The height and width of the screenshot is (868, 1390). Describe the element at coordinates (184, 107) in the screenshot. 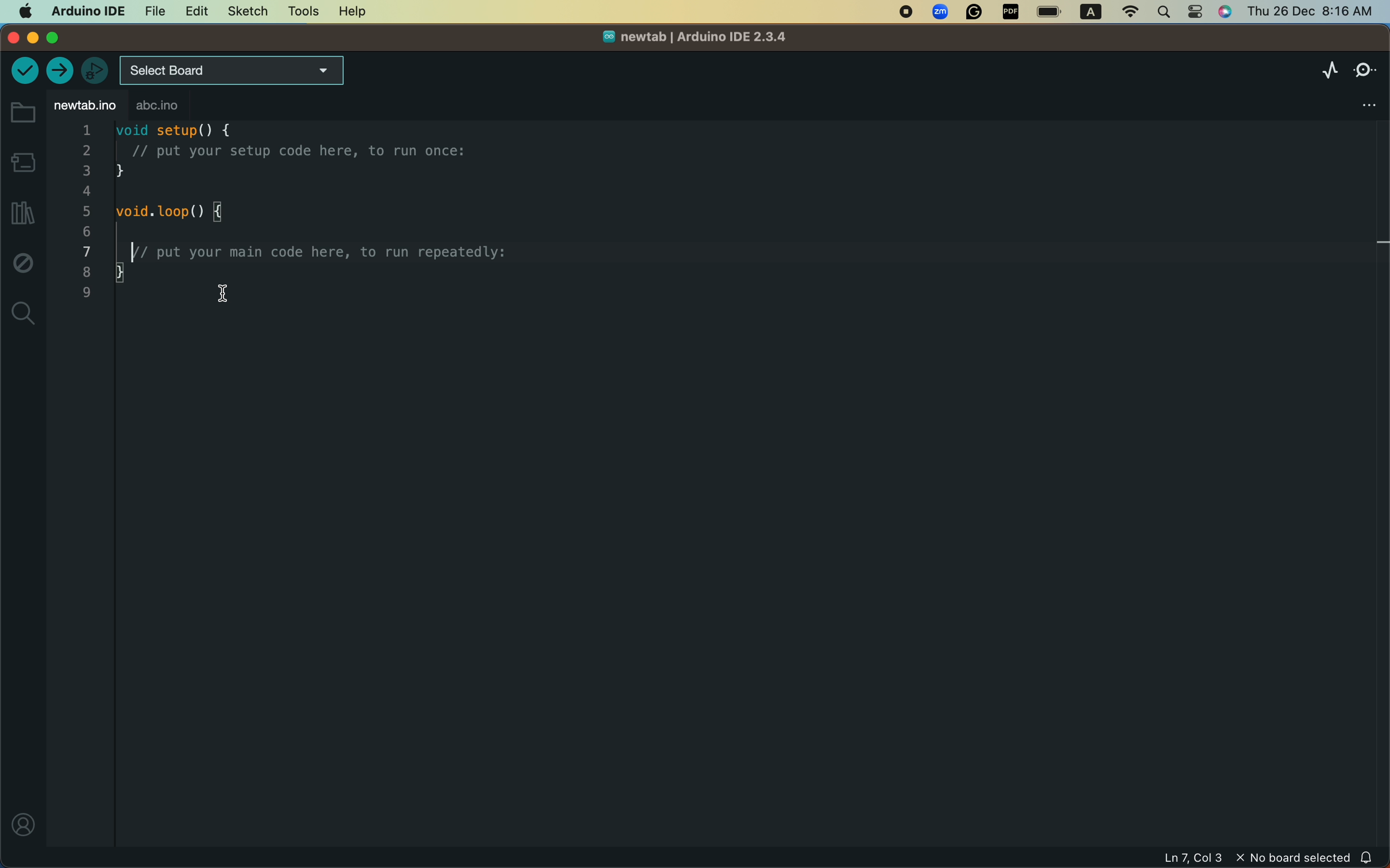

I see `abc` at that location.